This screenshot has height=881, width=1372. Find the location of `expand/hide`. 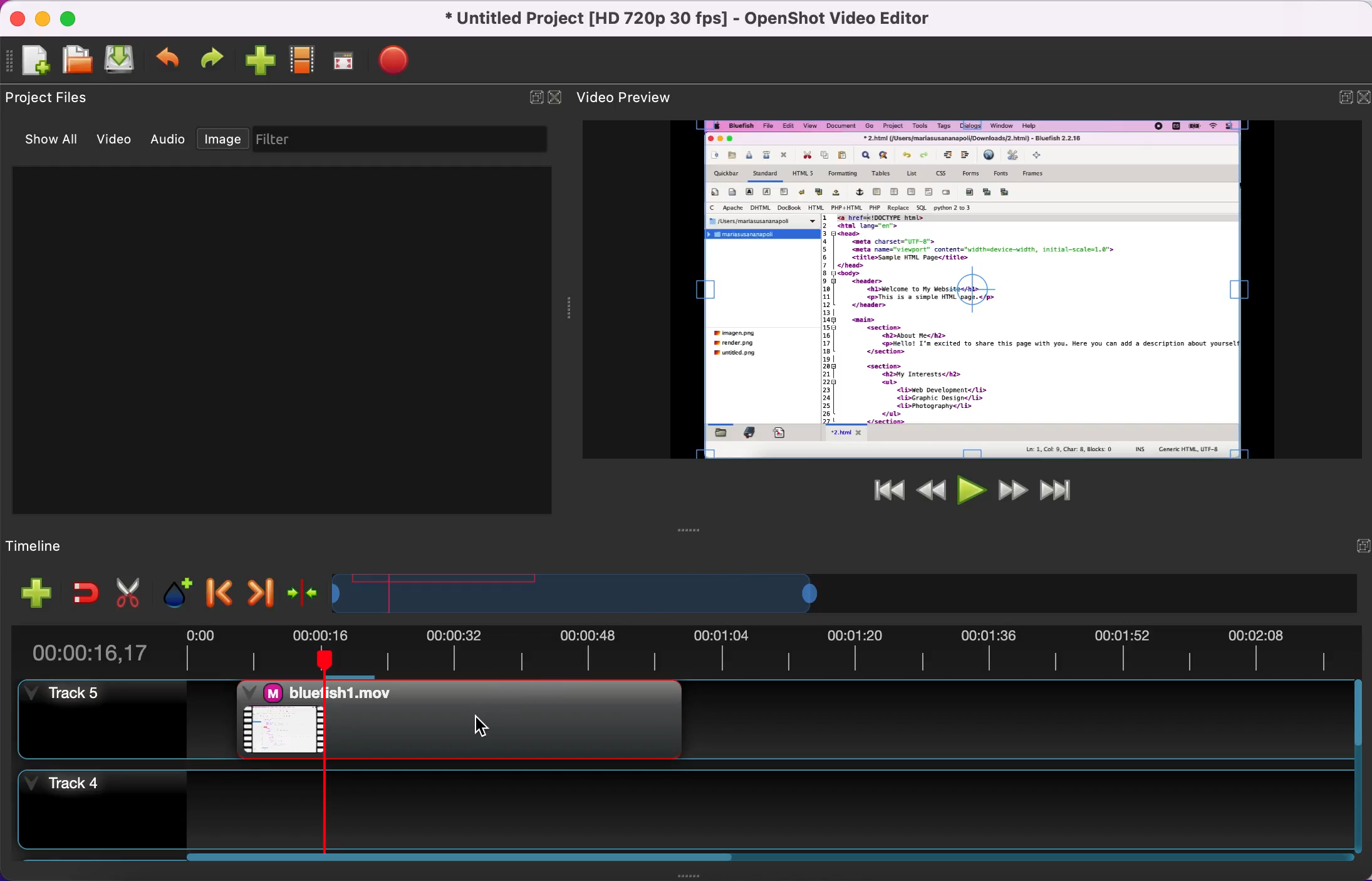

expand/hide is located at coordinates (1338, 96).